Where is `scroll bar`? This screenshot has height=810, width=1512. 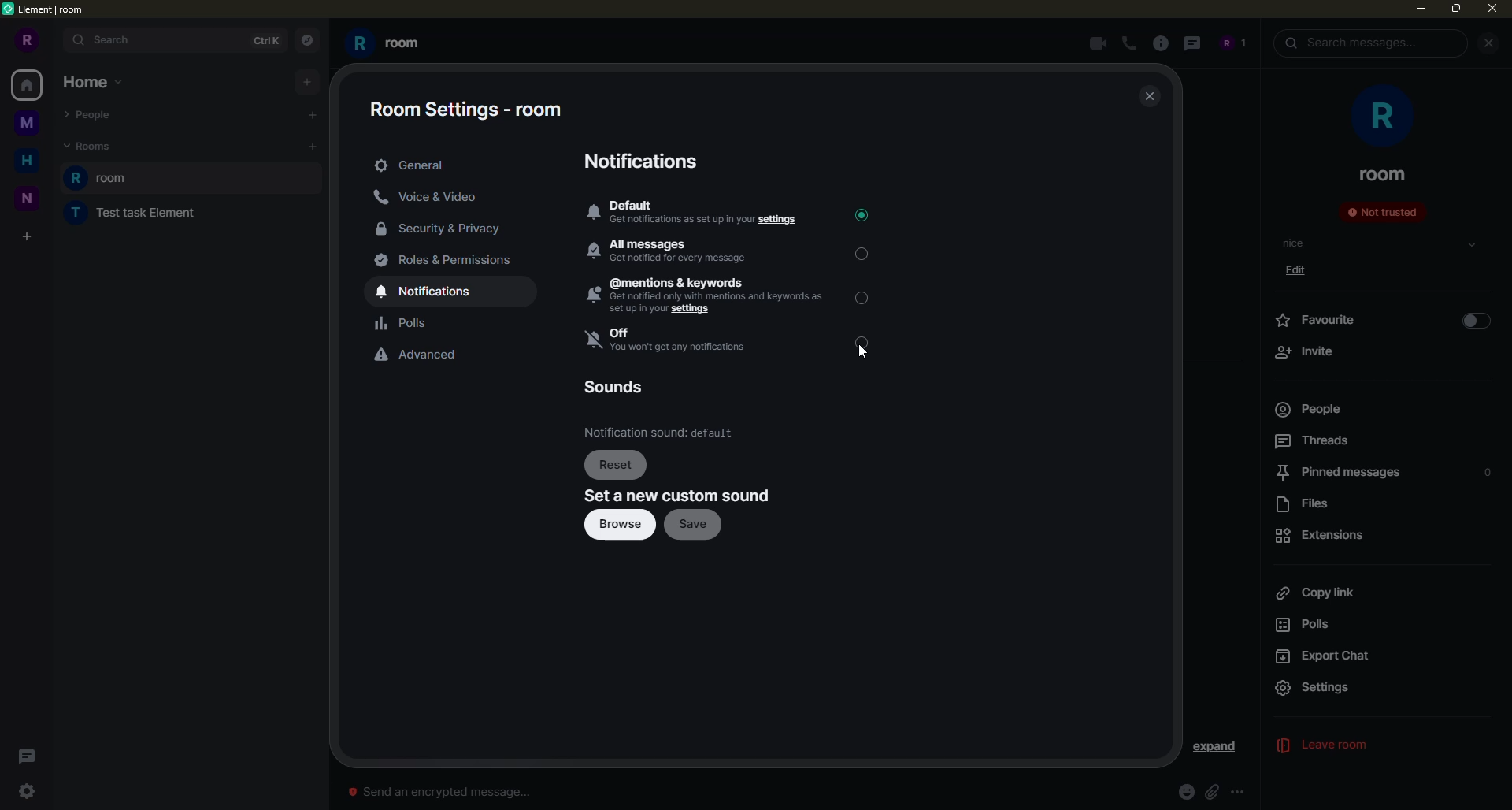 scroll bar is located at coordinates (1255, 422).